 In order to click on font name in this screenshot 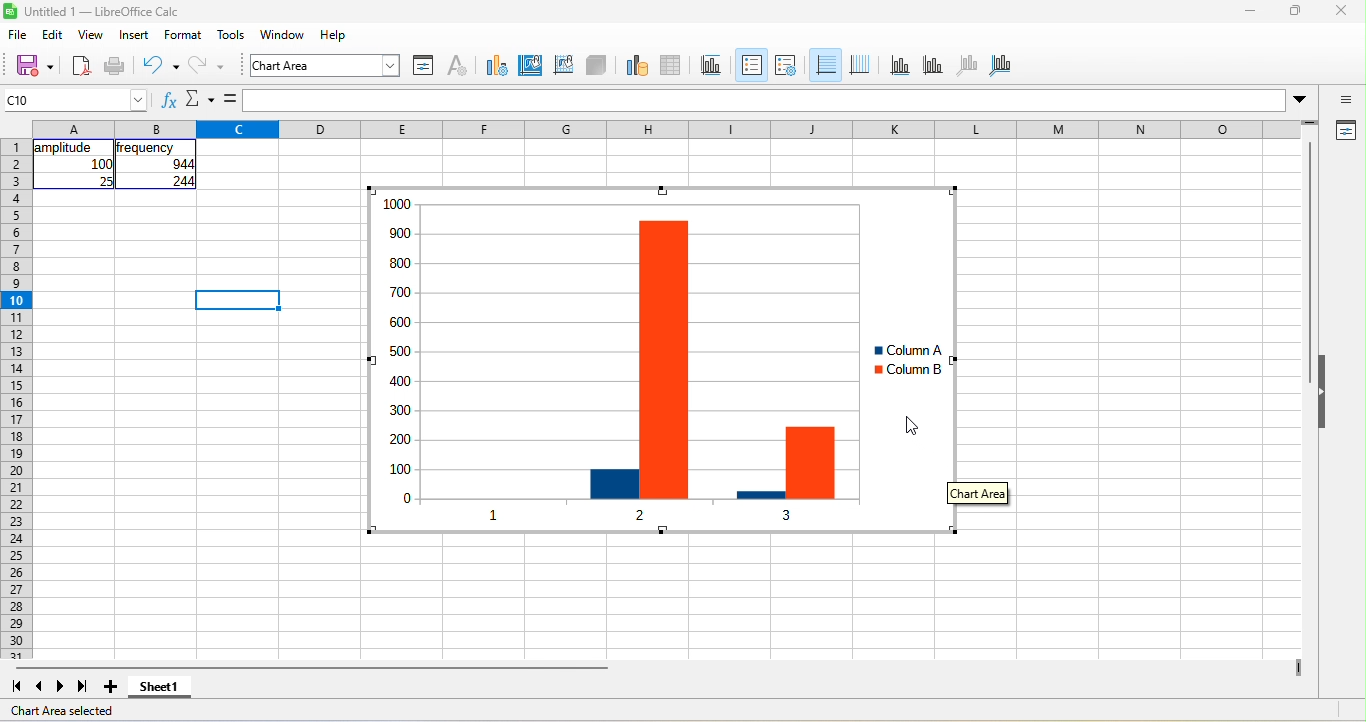, I will do `click(325, 65)`.